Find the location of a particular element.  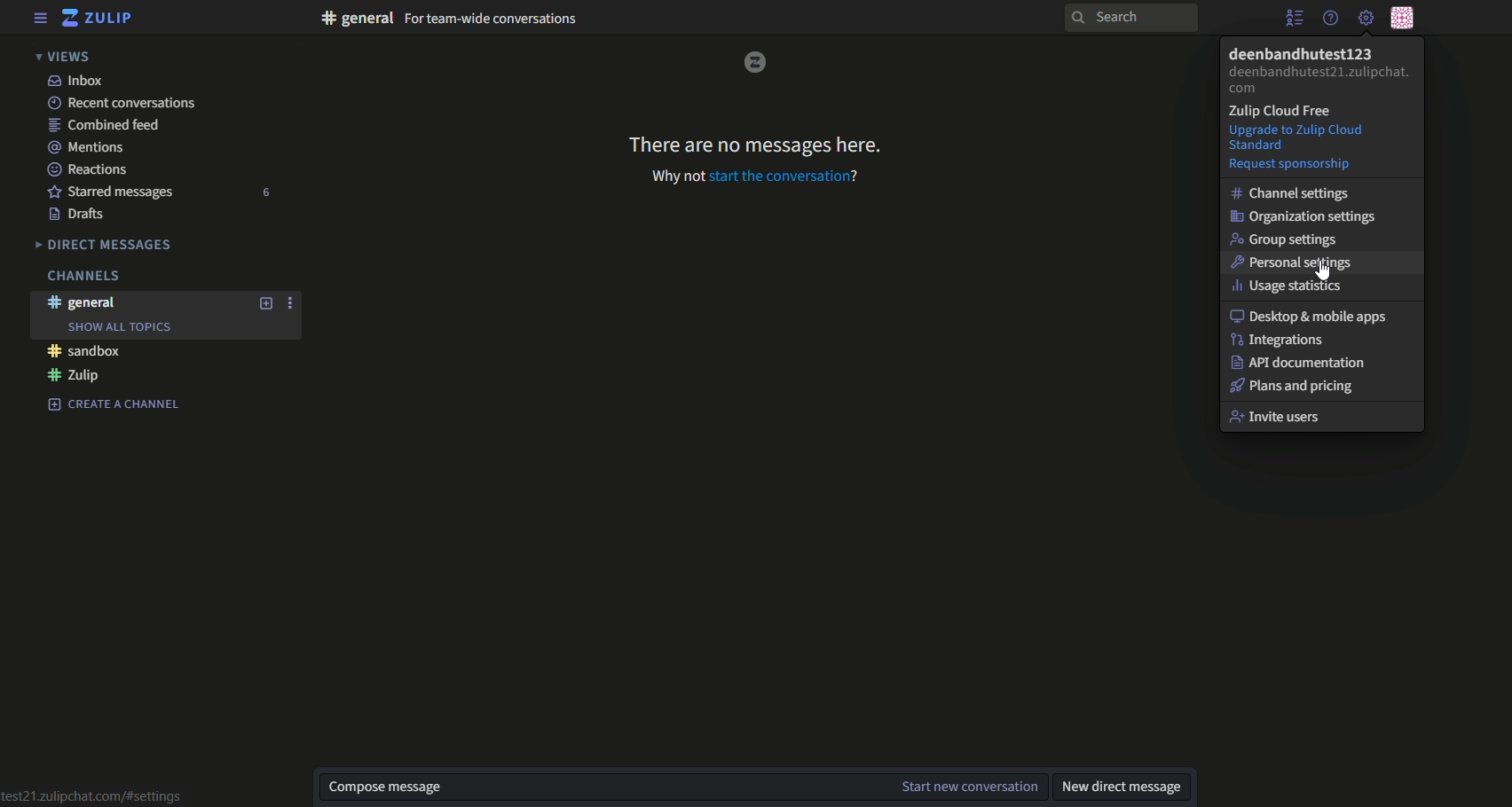

options is located at coordinates (294, 304).